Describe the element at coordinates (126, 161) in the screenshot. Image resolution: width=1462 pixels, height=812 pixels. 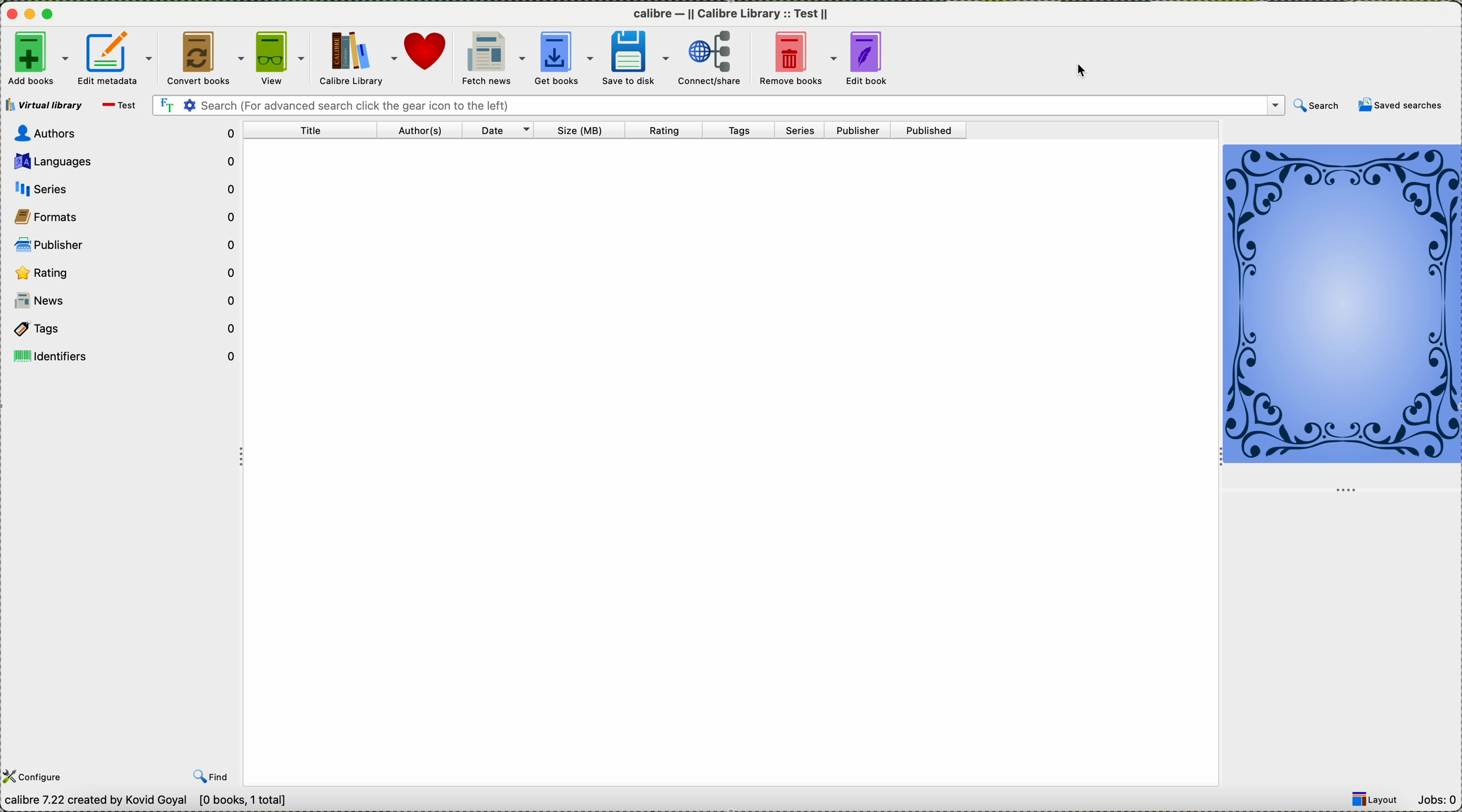
I see `Languages` at that location.